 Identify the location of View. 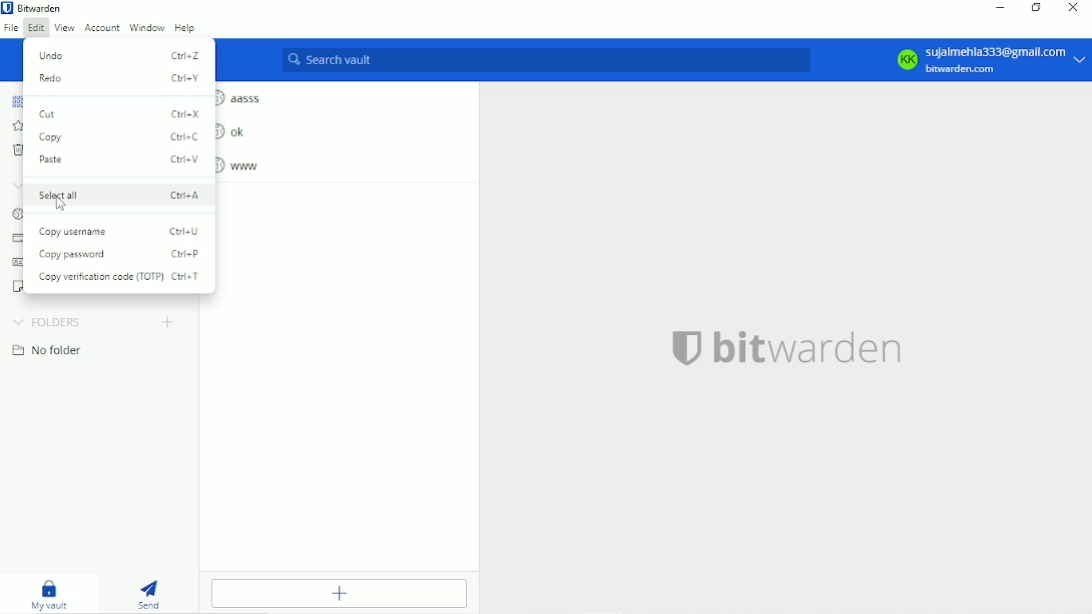
(64, 29).